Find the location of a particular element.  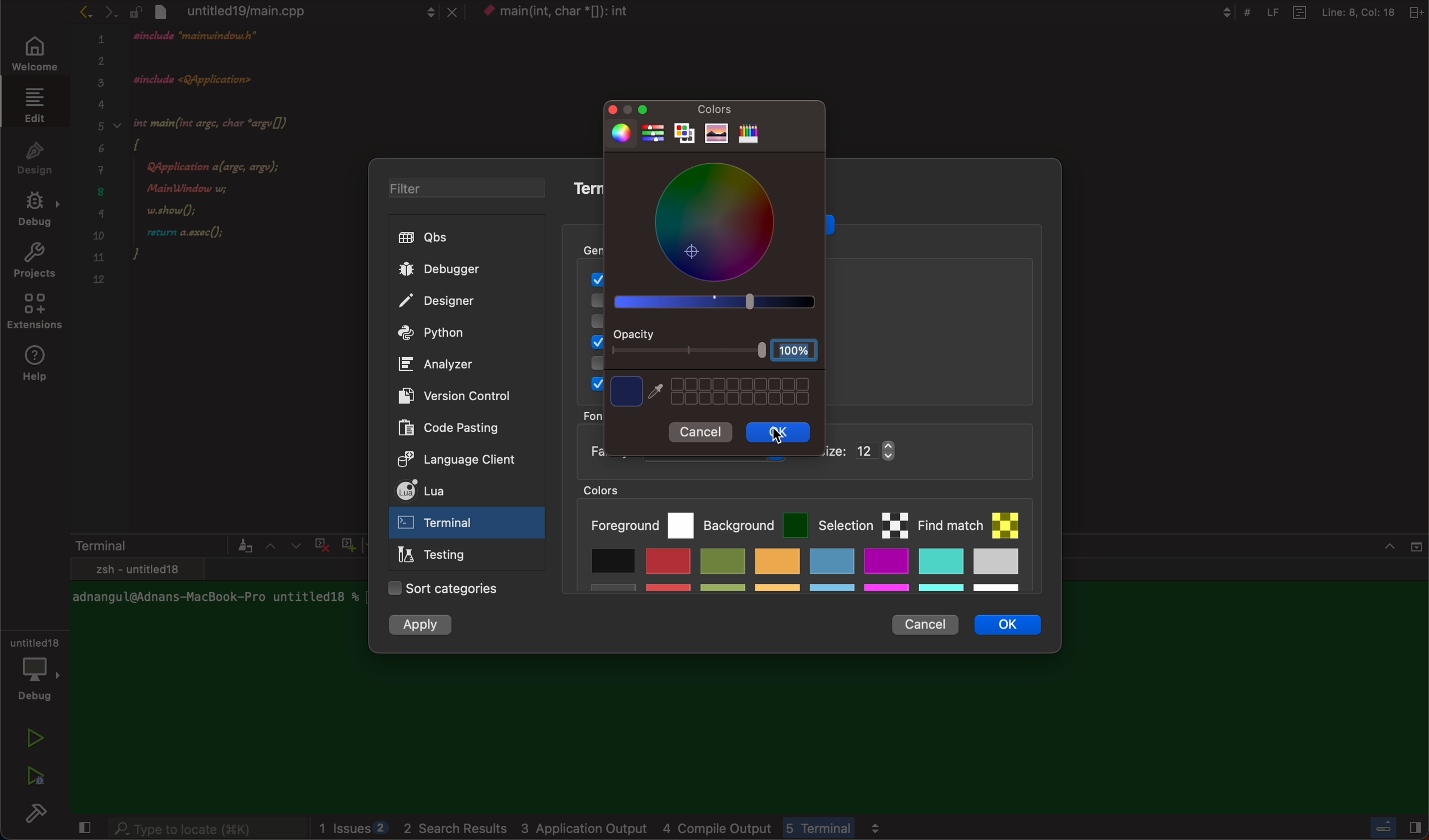

build is located at coordinates (40, 816).